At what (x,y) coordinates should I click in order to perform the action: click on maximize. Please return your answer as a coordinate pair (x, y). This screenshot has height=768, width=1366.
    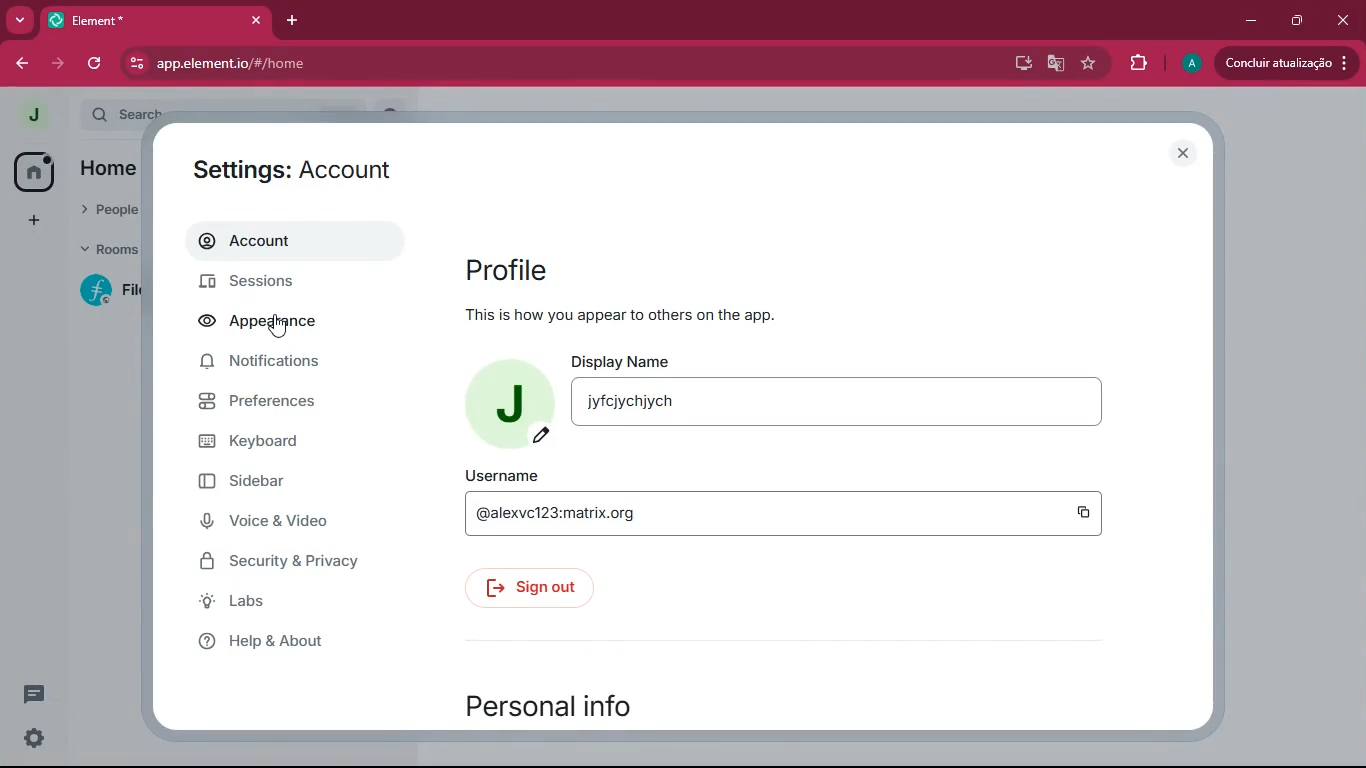
    Looking at the image, I should click on (1293, 20).